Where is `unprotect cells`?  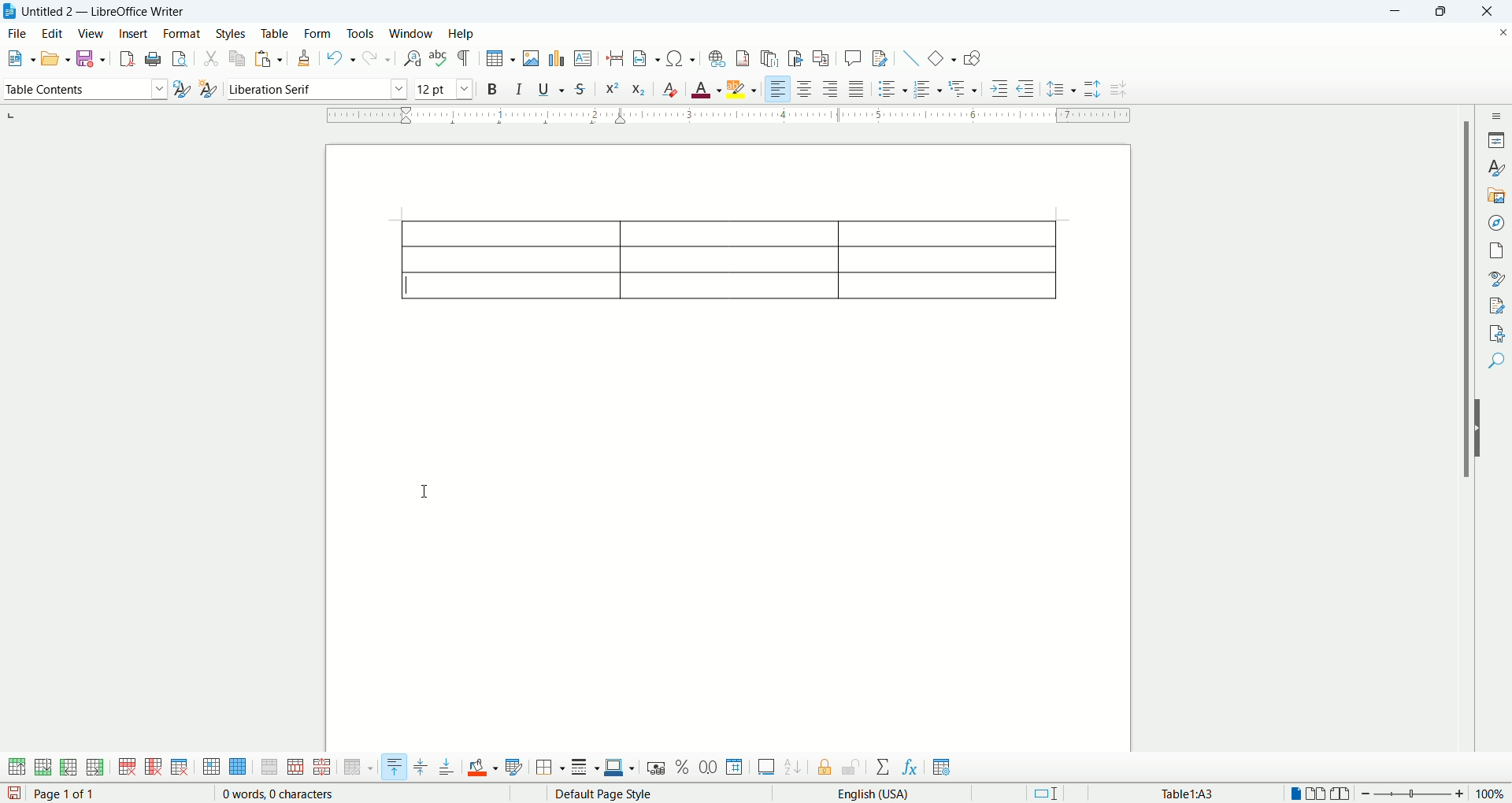 unprotect cells is located at coordinates (850, 768).